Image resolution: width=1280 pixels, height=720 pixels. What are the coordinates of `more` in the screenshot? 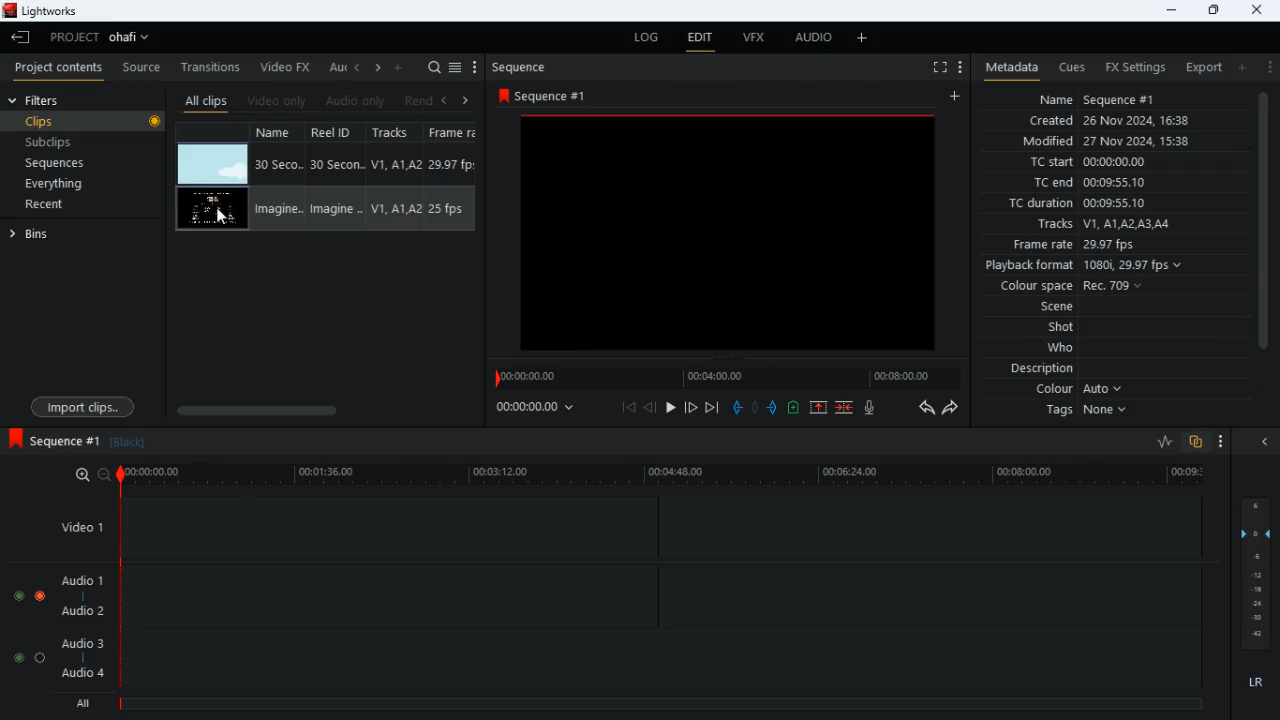 It's located at (1267, 66).